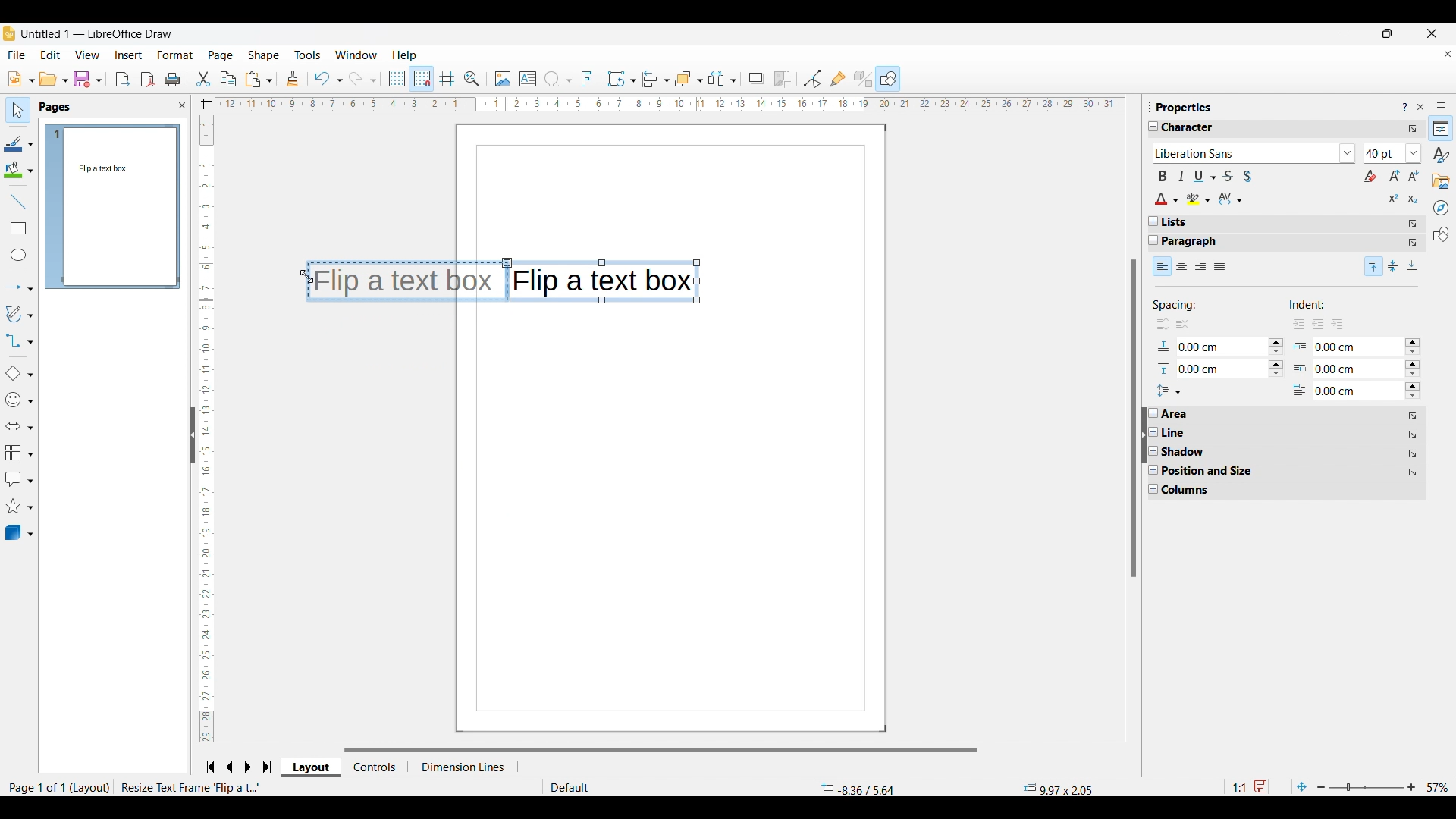  Describe the element at coordinates (1404, 108) in the screenshot. I see `Help about sidebar` at that location.